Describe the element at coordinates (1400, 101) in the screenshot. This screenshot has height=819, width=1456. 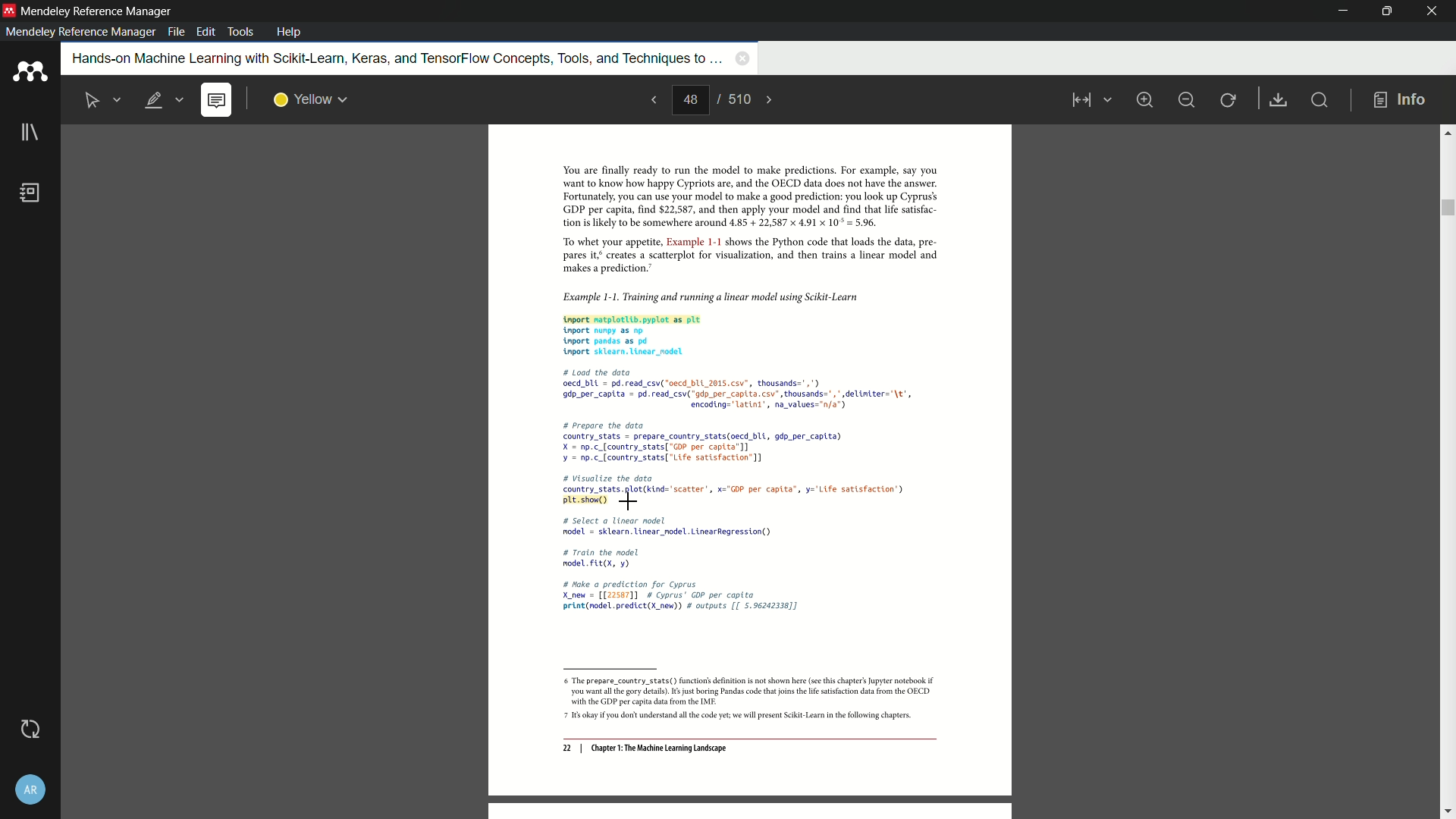
I see `info` at that location.